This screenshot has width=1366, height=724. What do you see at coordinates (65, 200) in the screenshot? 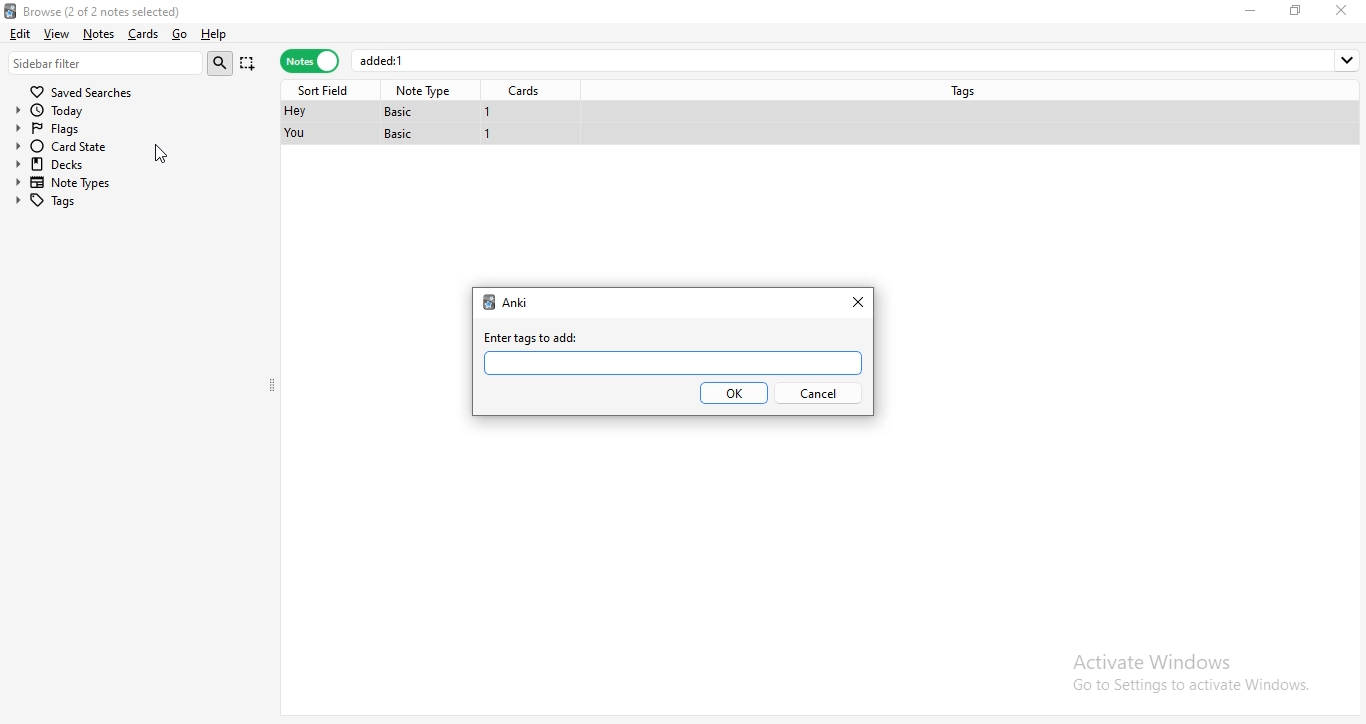
I see `tags` at bounding box center [65, 200].